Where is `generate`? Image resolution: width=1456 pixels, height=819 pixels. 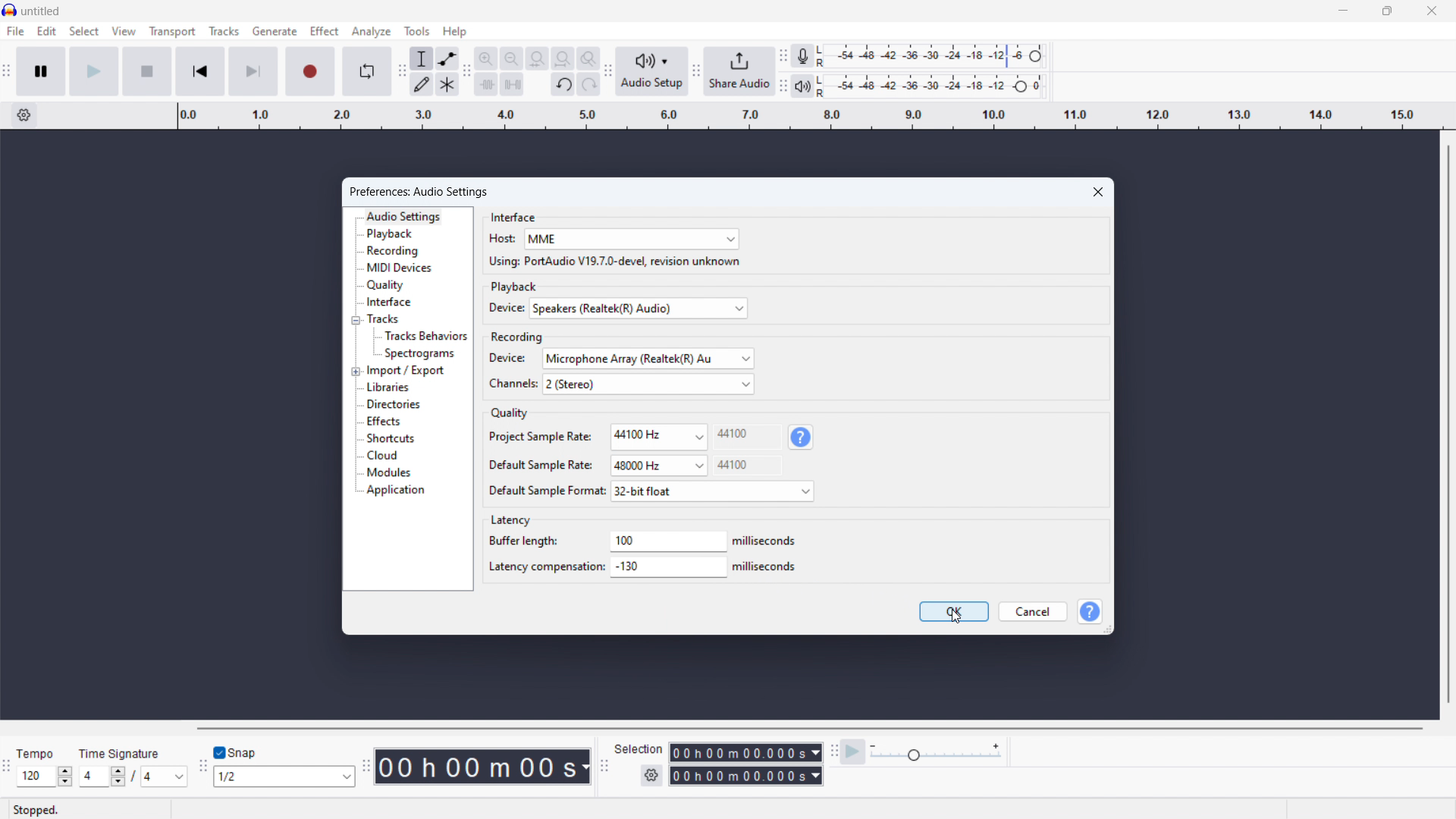
generate is located at coordinates (275, 31).